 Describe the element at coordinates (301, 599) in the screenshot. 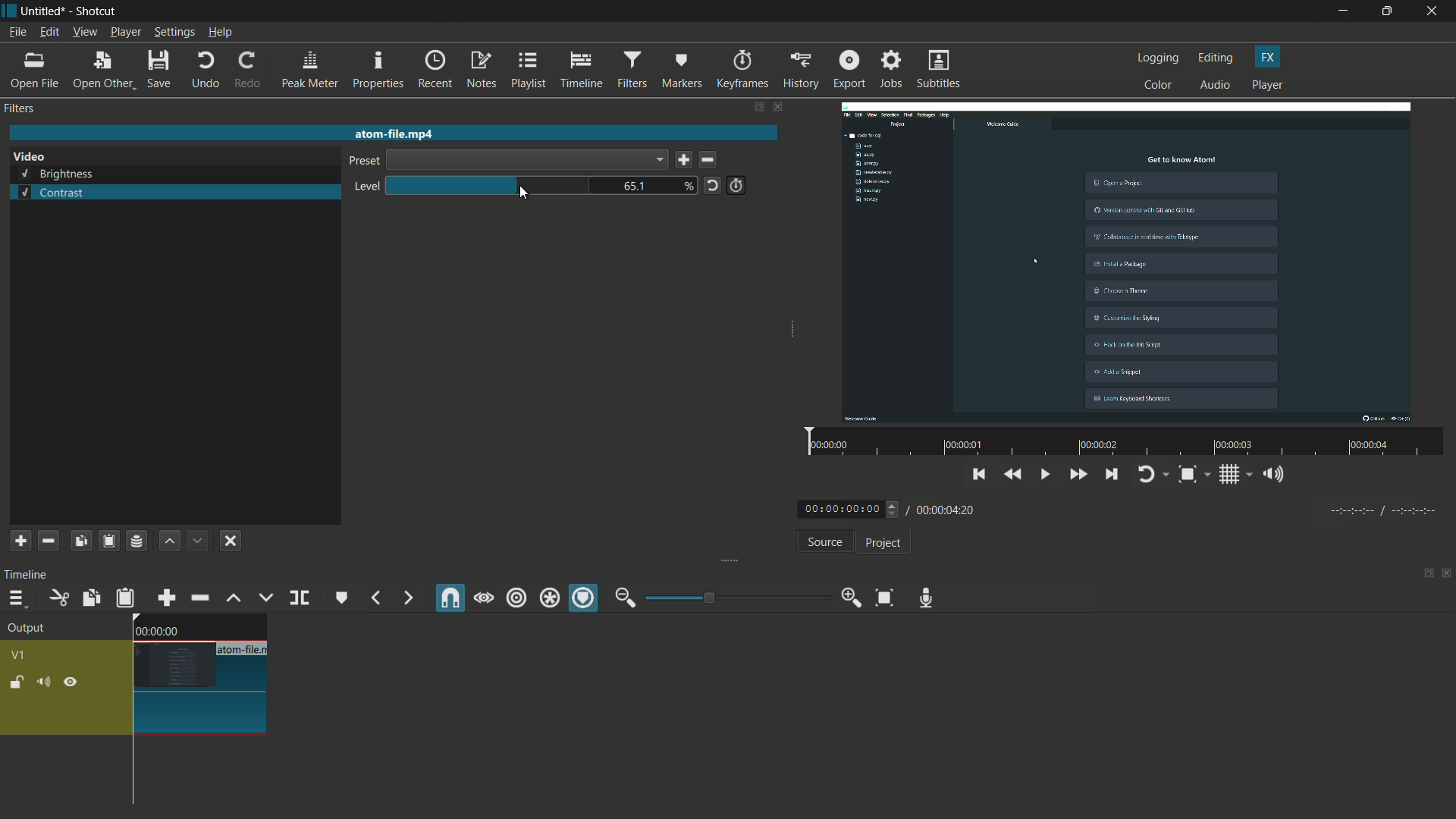

I see `split at playhead` at that location.